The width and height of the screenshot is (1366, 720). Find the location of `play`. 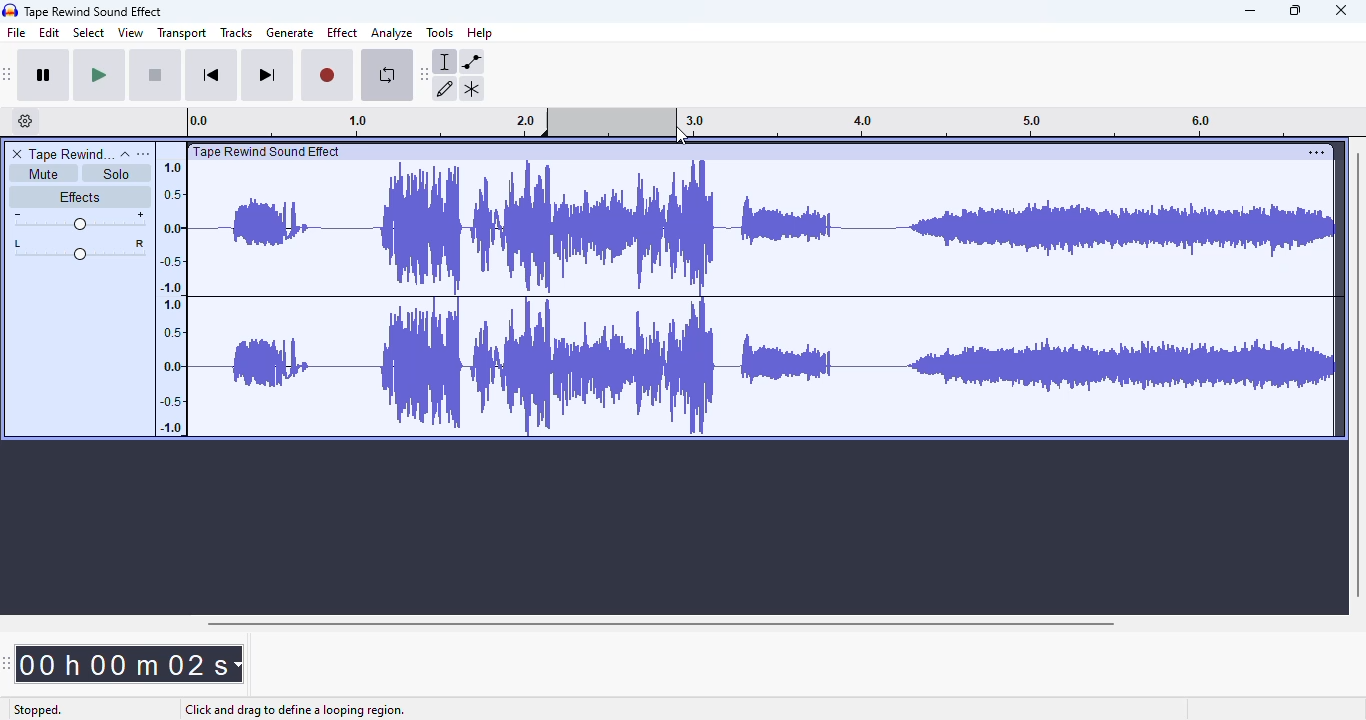

play is located at coordinates (101, 74).